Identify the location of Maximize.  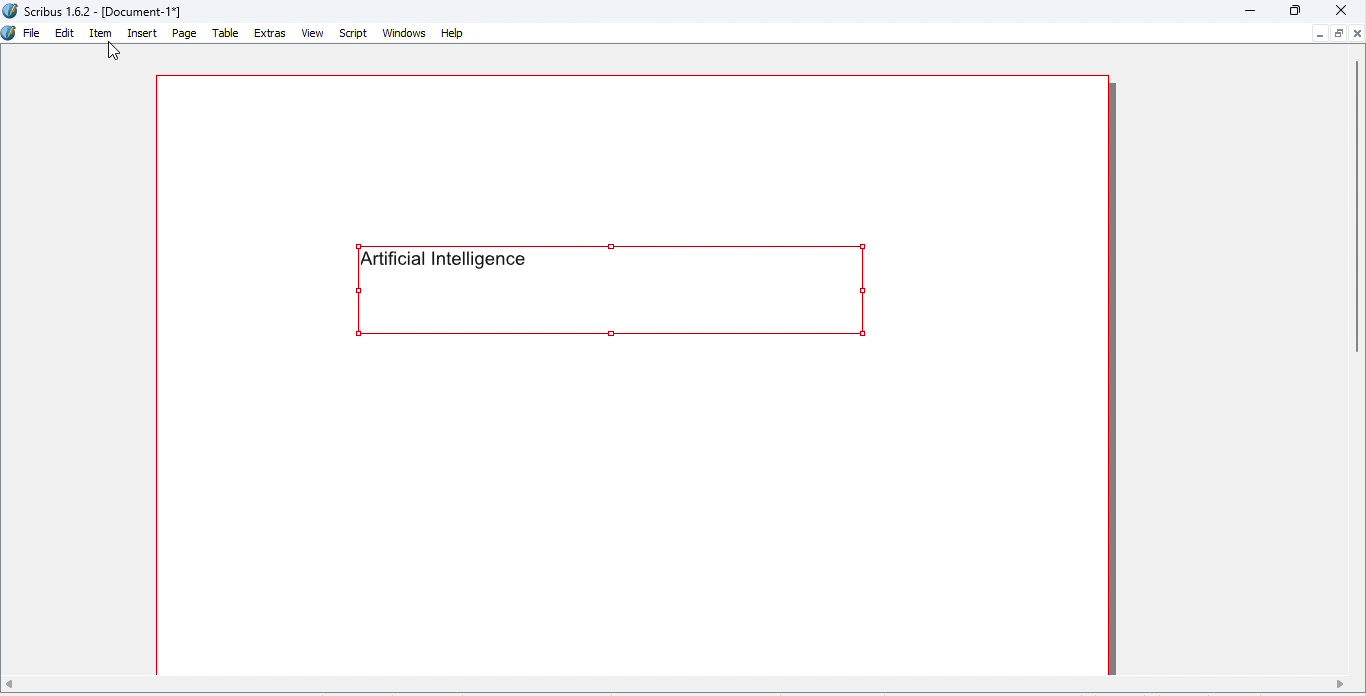
(1297, 11).